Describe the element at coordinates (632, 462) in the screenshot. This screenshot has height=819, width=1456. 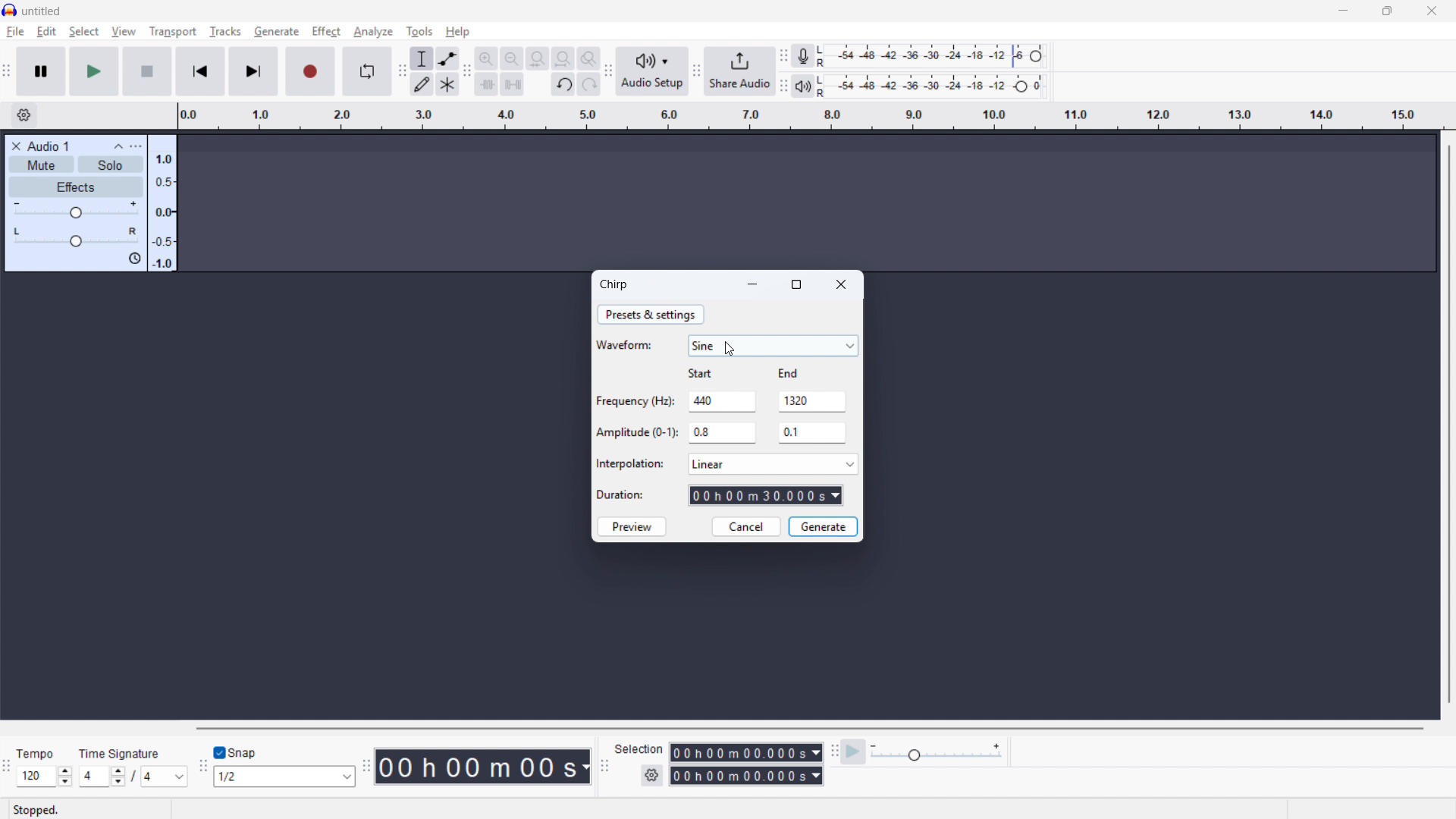
I see `Interpolation` at that location.